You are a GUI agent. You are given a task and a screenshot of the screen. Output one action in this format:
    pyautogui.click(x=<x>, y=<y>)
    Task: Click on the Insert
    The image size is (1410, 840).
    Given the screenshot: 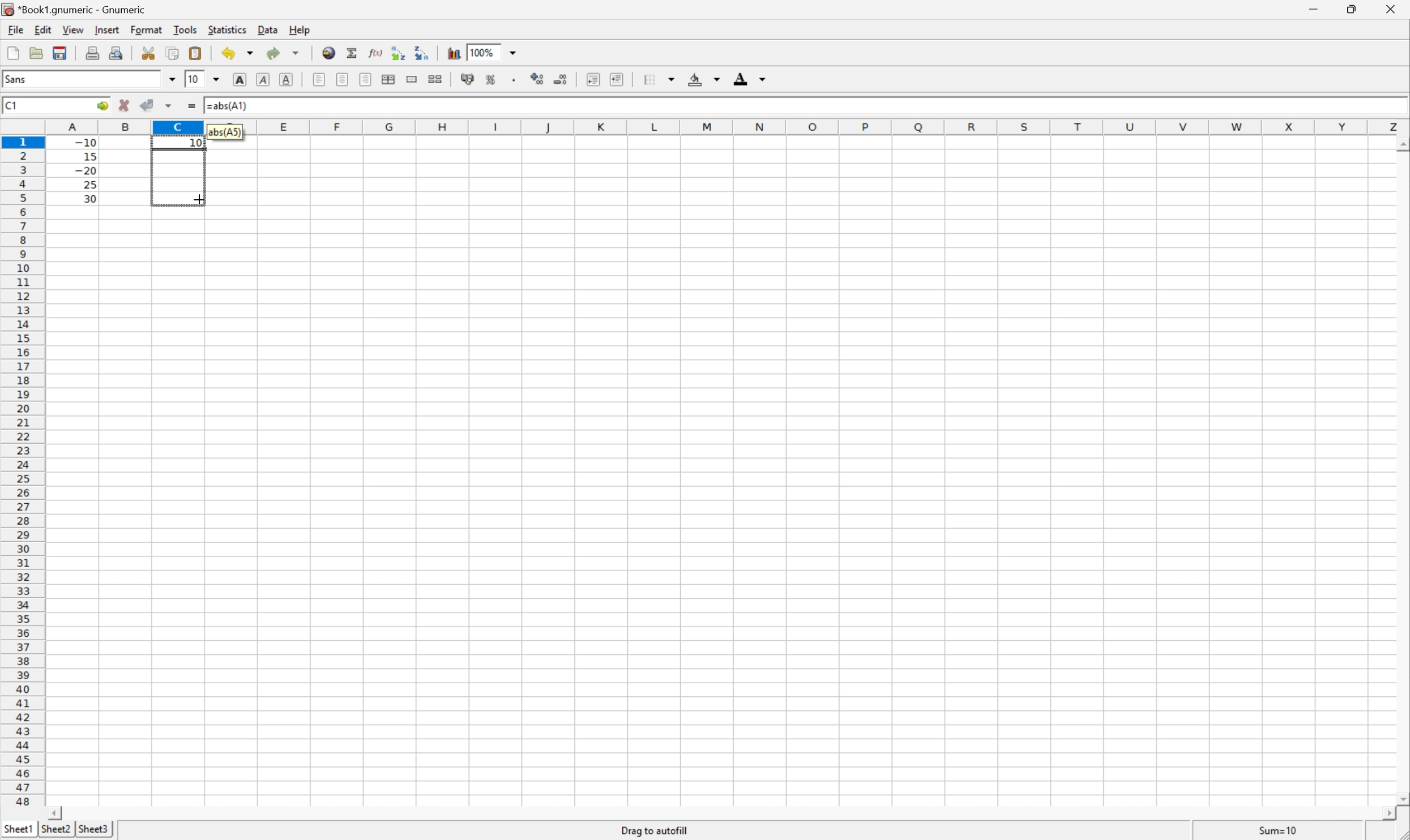 What is the action you would take?
    pyautogui.click(x=108, y=30)
    